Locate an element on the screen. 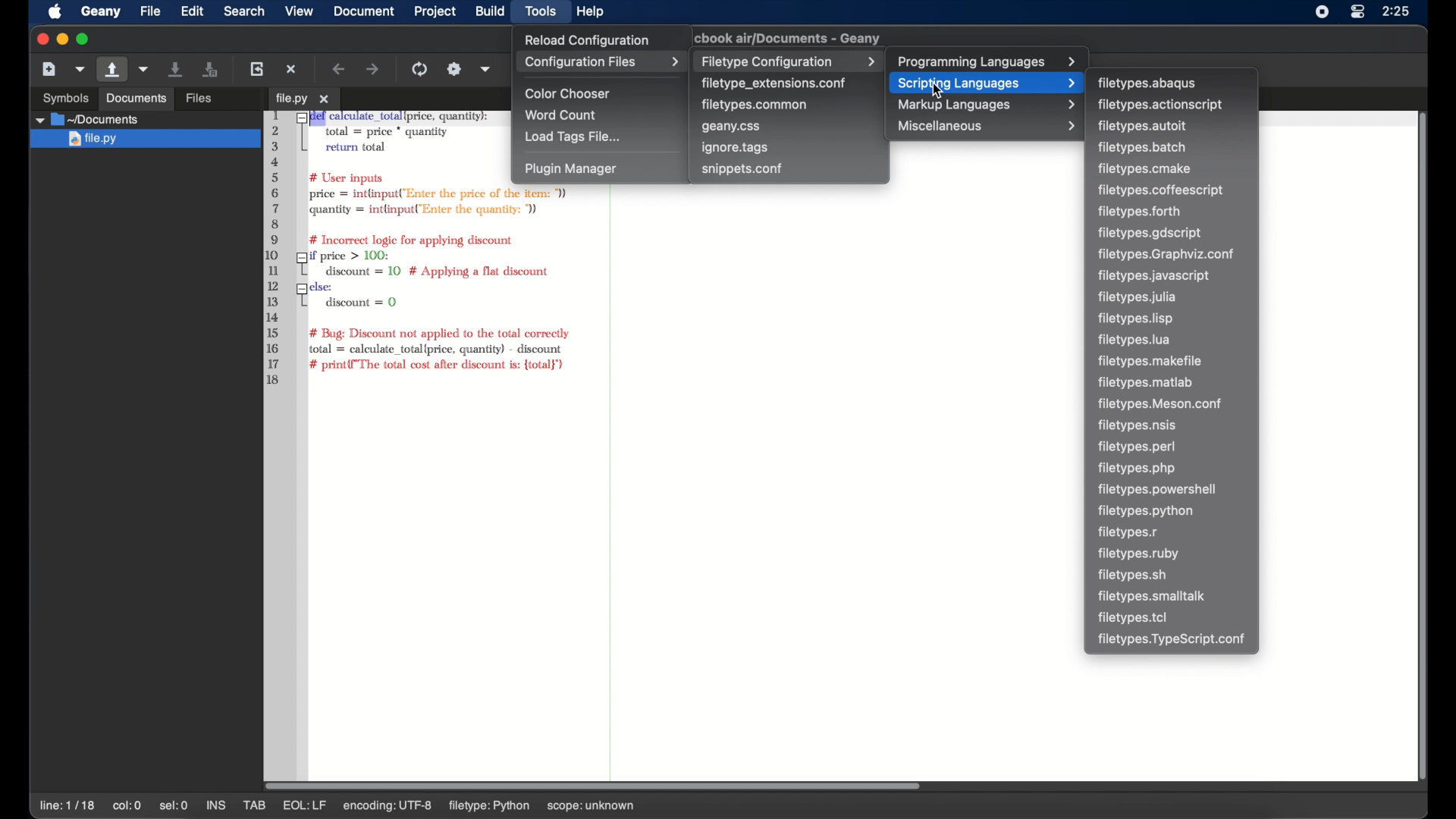 This screenshot has height=819, width=1456. filetypes is located at coordinates (1160, 190).